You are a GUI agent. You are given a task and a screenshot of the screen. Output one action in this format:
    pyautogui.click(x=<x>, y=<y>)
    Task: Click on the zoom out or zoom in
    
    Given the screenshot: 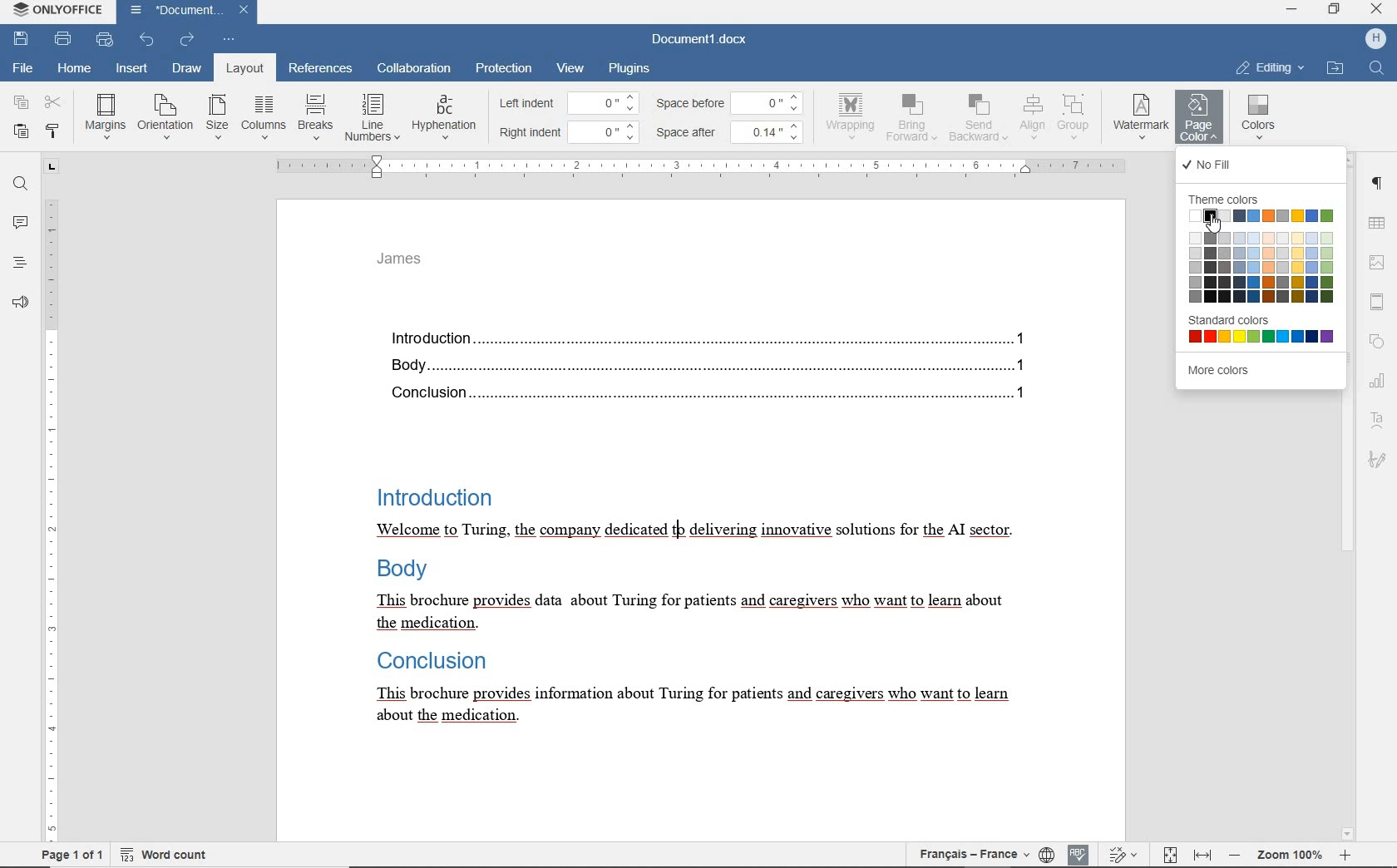 What is the action you would take?
    pyautogui.click(x=1291, y=854)
    